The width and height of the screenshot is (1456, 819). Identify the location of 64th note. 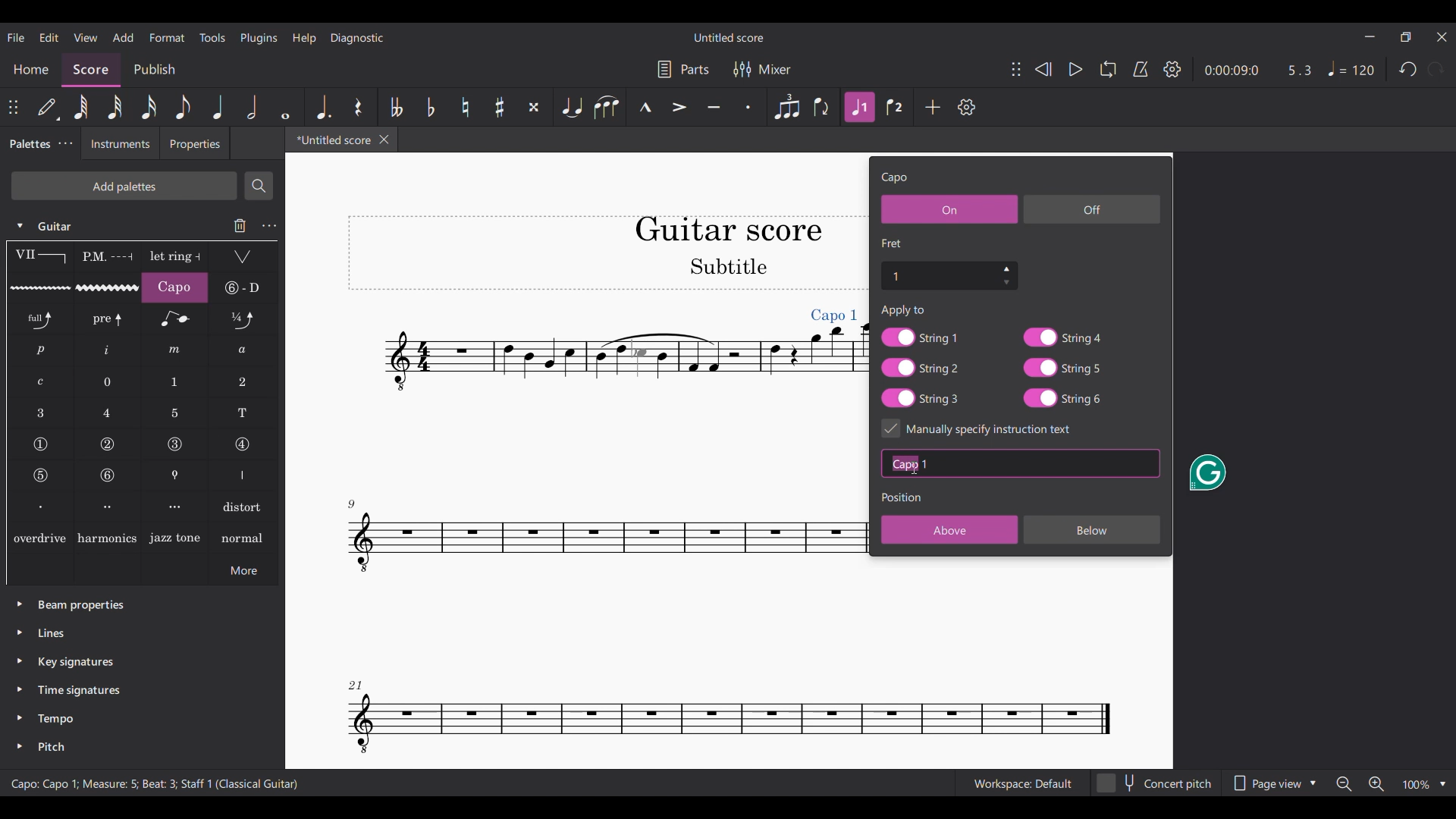
(81, 107).